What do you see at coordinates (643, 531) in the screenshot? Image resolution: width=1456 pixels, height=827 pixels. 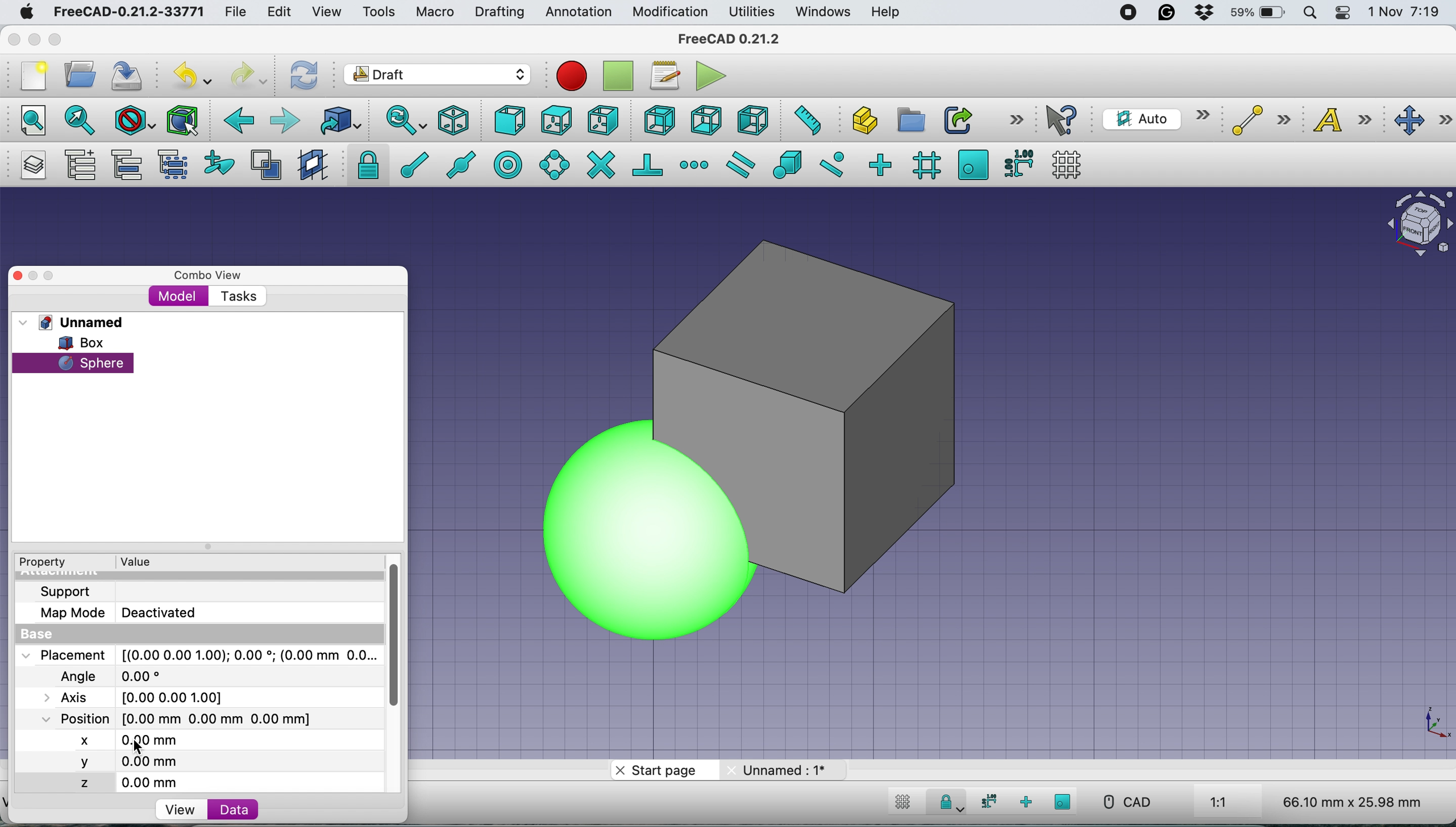 I see `sphere` at bounding box center [643, 531].